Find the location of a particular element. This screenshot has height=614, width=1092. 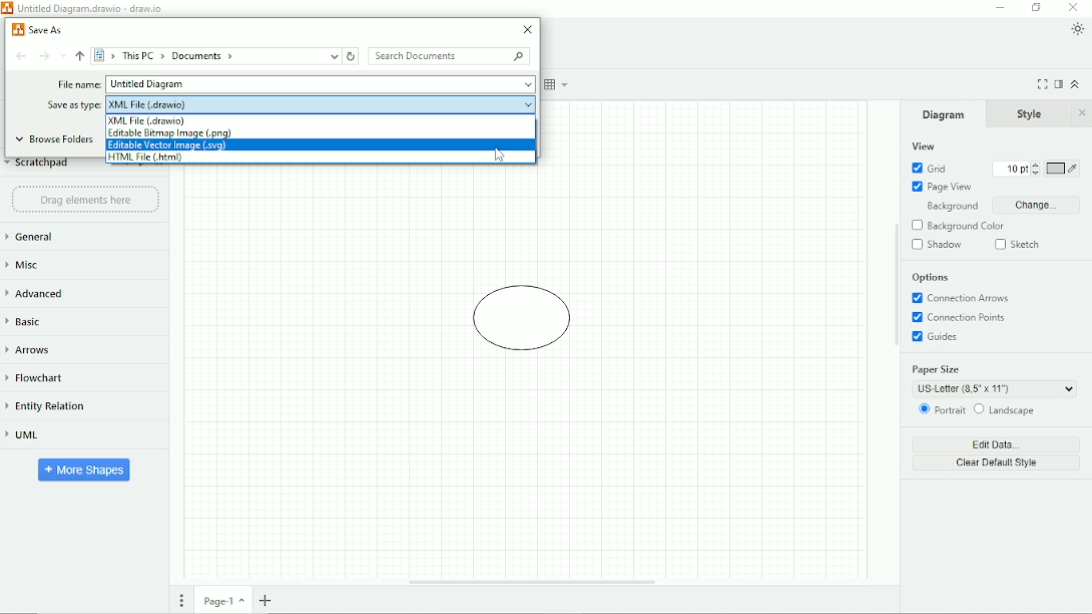

Back is located at coordinates (23, 56).